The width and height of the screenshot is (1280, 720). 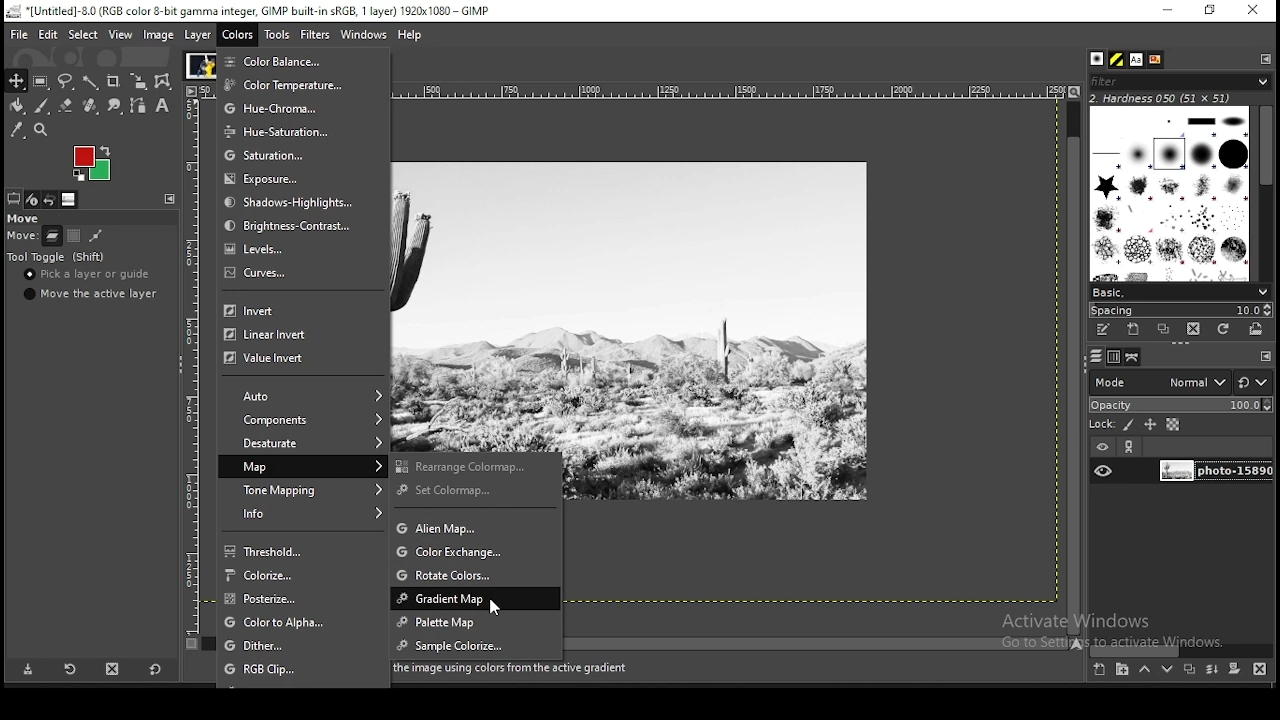 I want to click on move the active layer, so click(x=94, y=293).